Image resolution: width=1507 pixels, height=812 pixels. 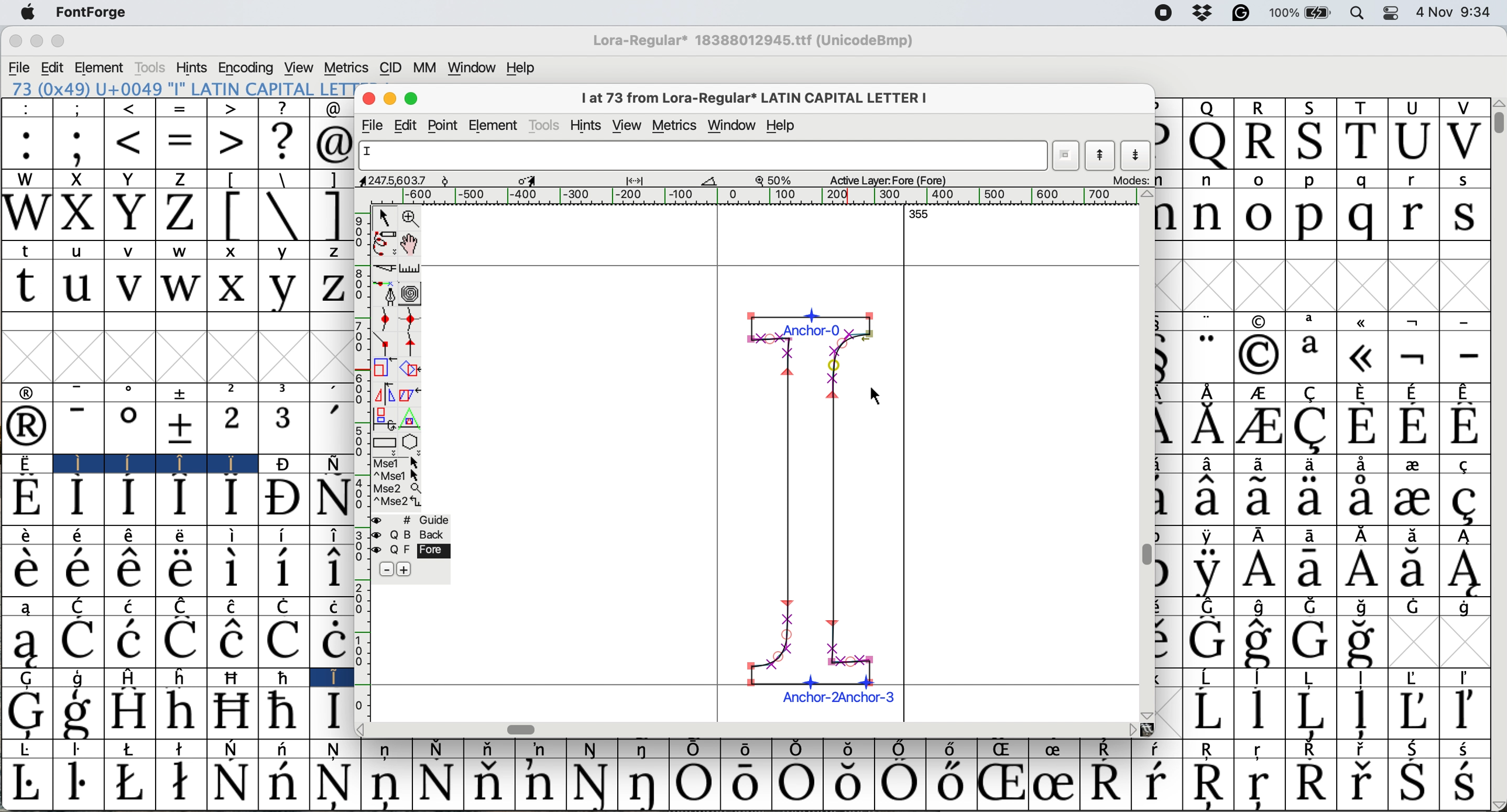 I want to click on ?, so click(x=283, y=142).